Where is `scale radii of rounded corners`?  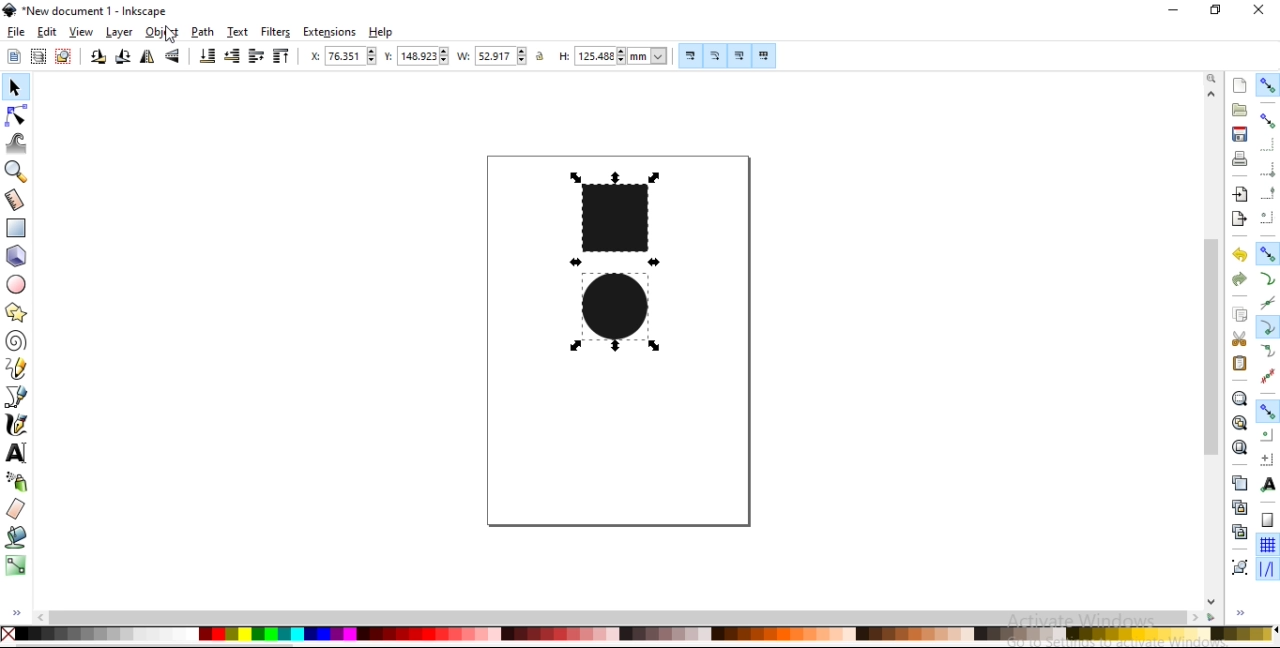 scale radii of rounded corners is located at coordinates (716, 57).